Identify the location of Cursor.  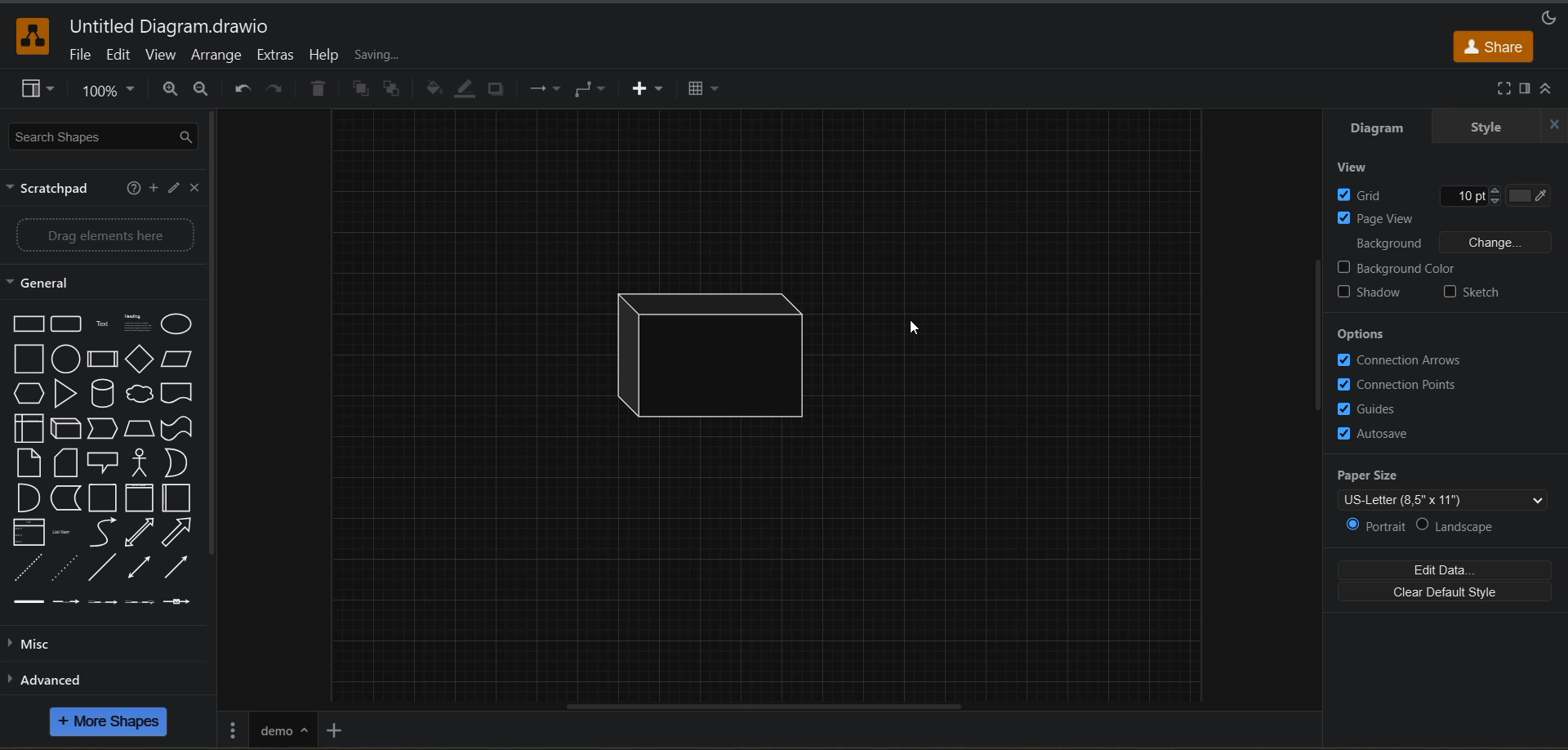
(911, 329).